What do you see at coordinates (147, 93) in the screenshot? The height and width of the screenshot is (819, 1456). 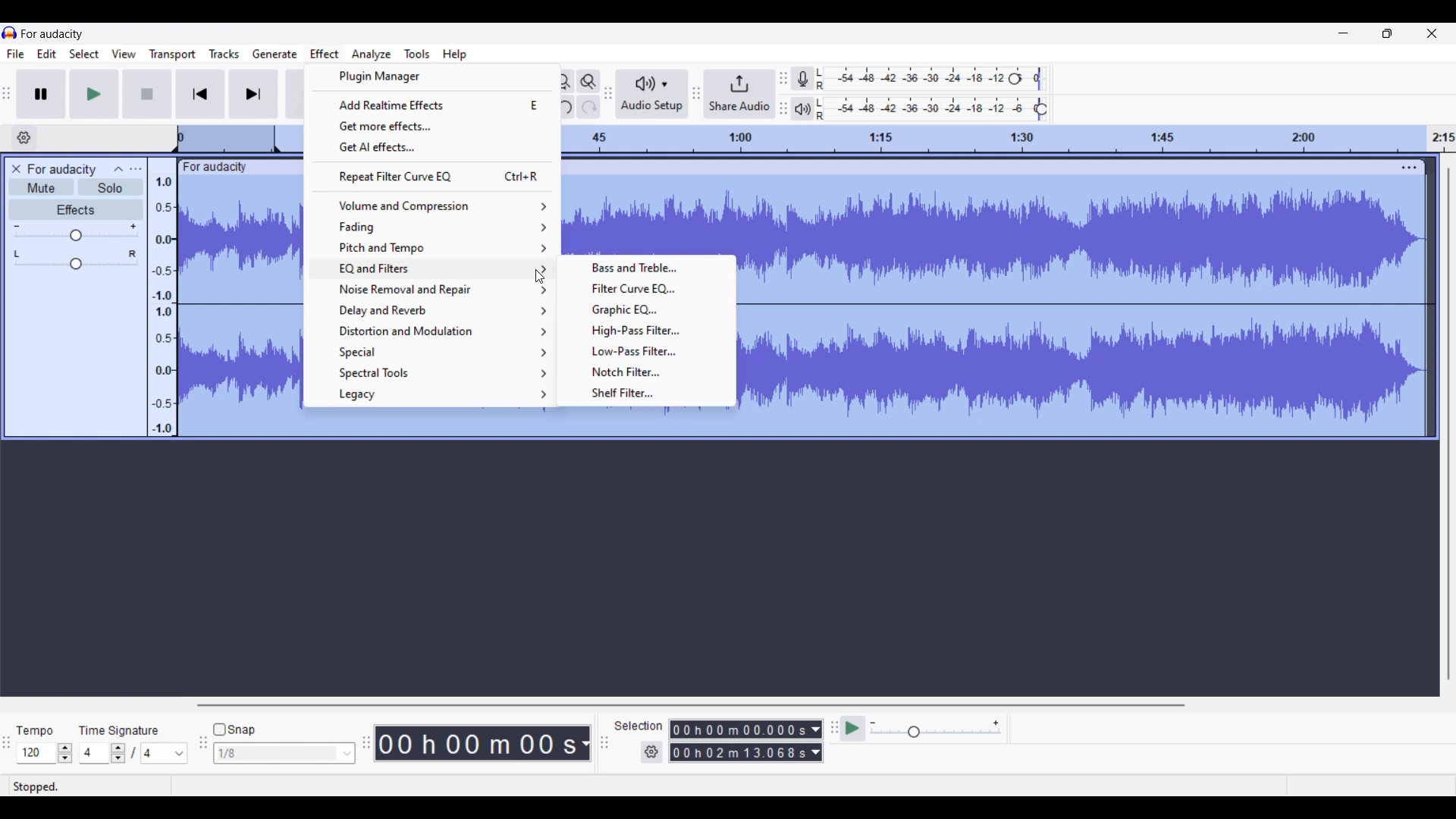 I see `Stop` at bounding box center [147, 93].